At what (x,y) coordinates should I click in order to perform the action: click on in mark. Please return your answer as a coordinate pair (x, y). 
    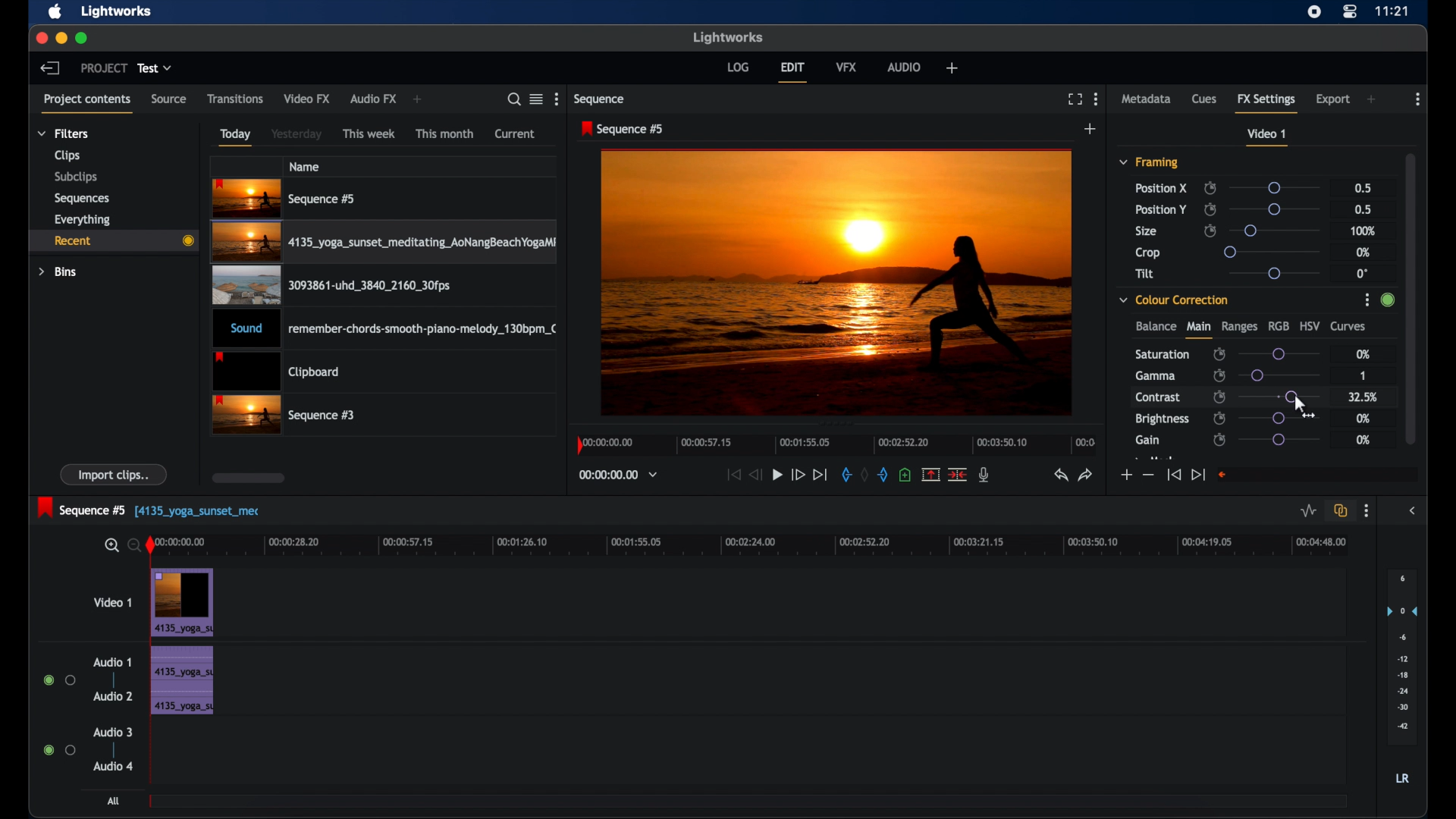
    Looking at the image, I should click on (846, 477).